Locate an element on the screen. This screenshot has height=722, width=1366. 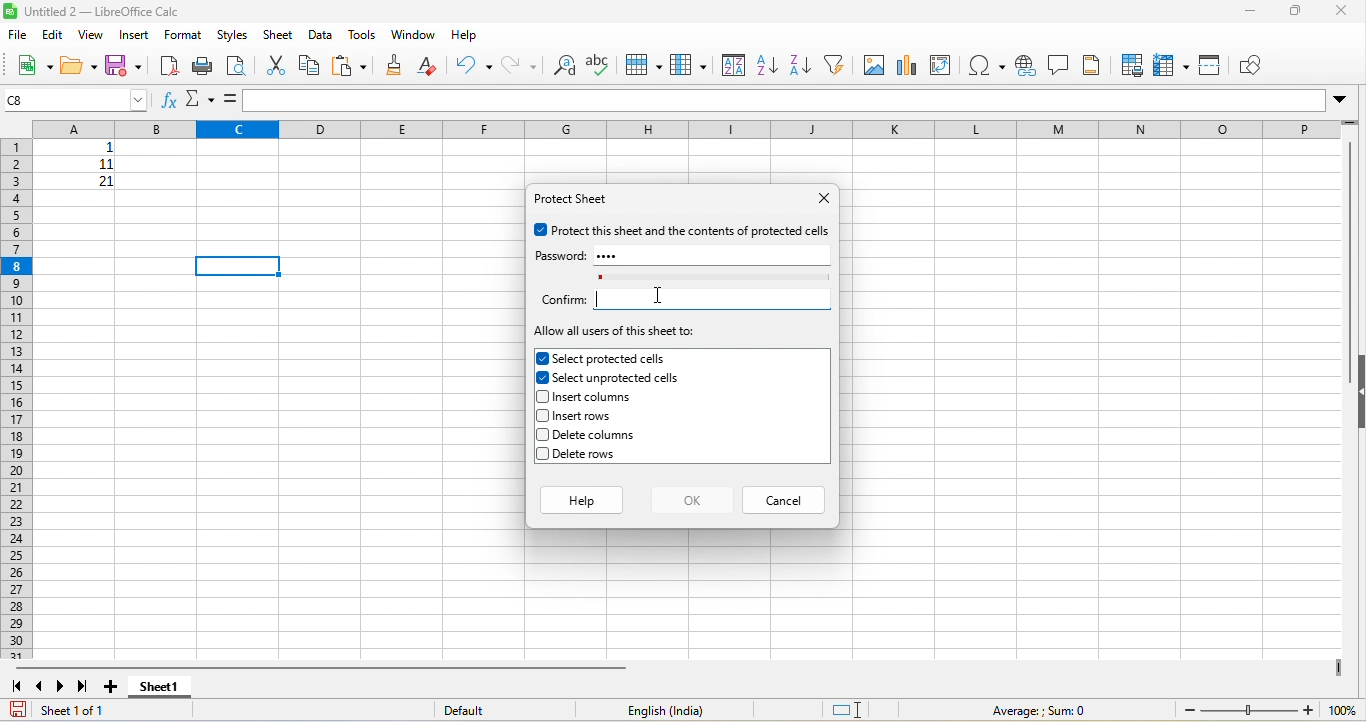
cursor movement is located at coordinates (657, 295).